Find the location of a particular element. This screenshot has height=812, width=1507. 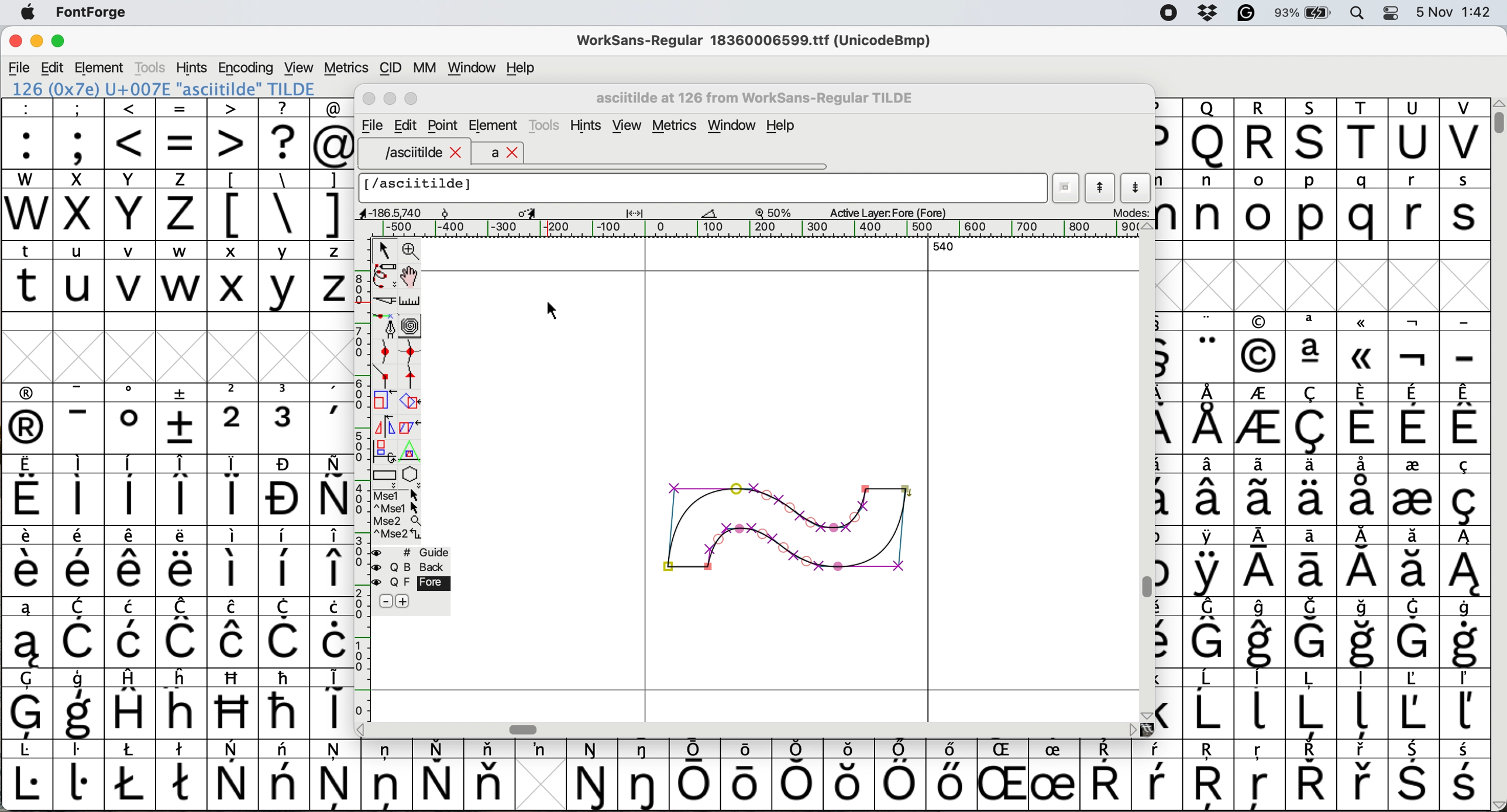

symbol is located at coordinates (540, 749).